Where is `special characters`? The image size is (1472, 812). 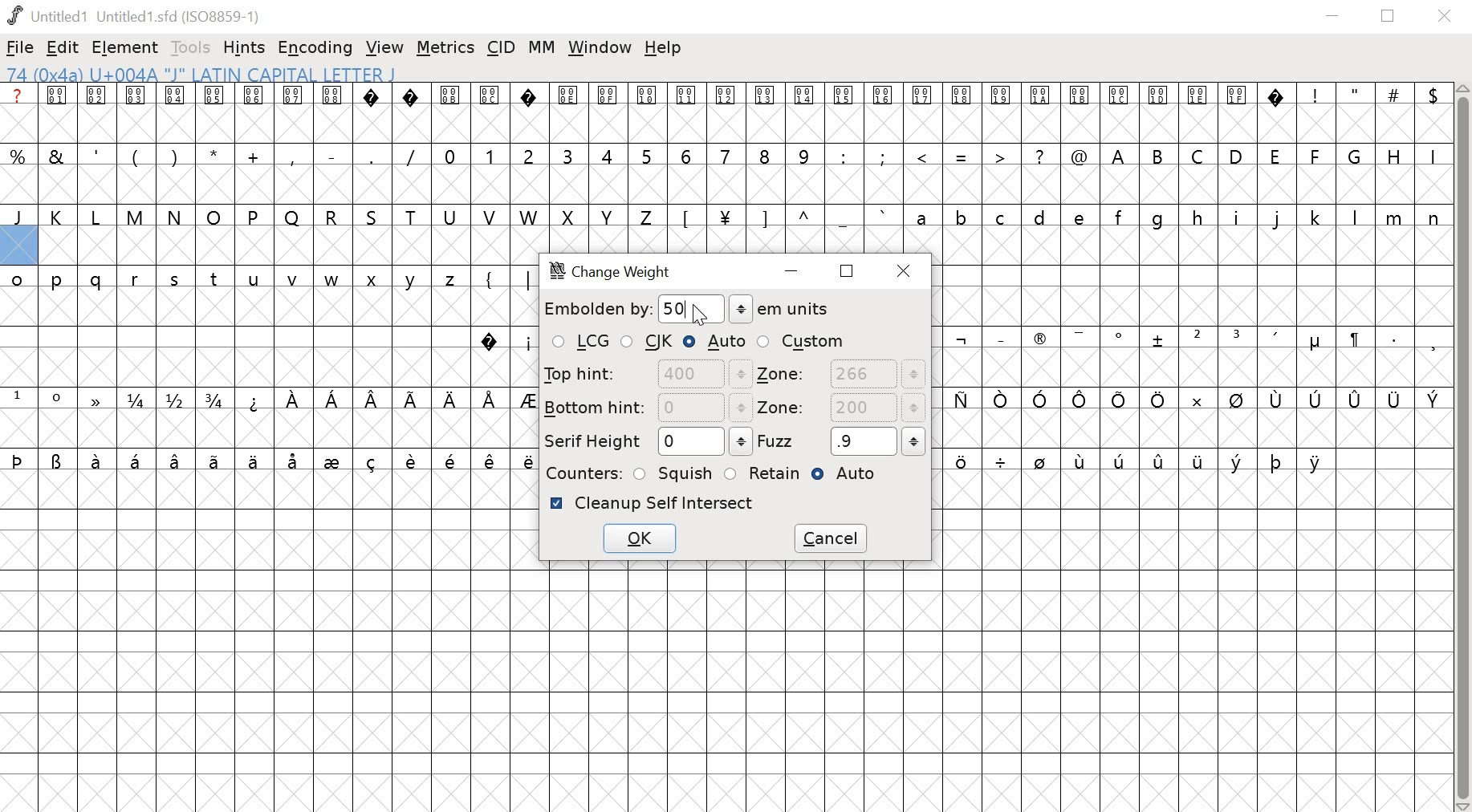 special characters is located at coordinates (215, 154).